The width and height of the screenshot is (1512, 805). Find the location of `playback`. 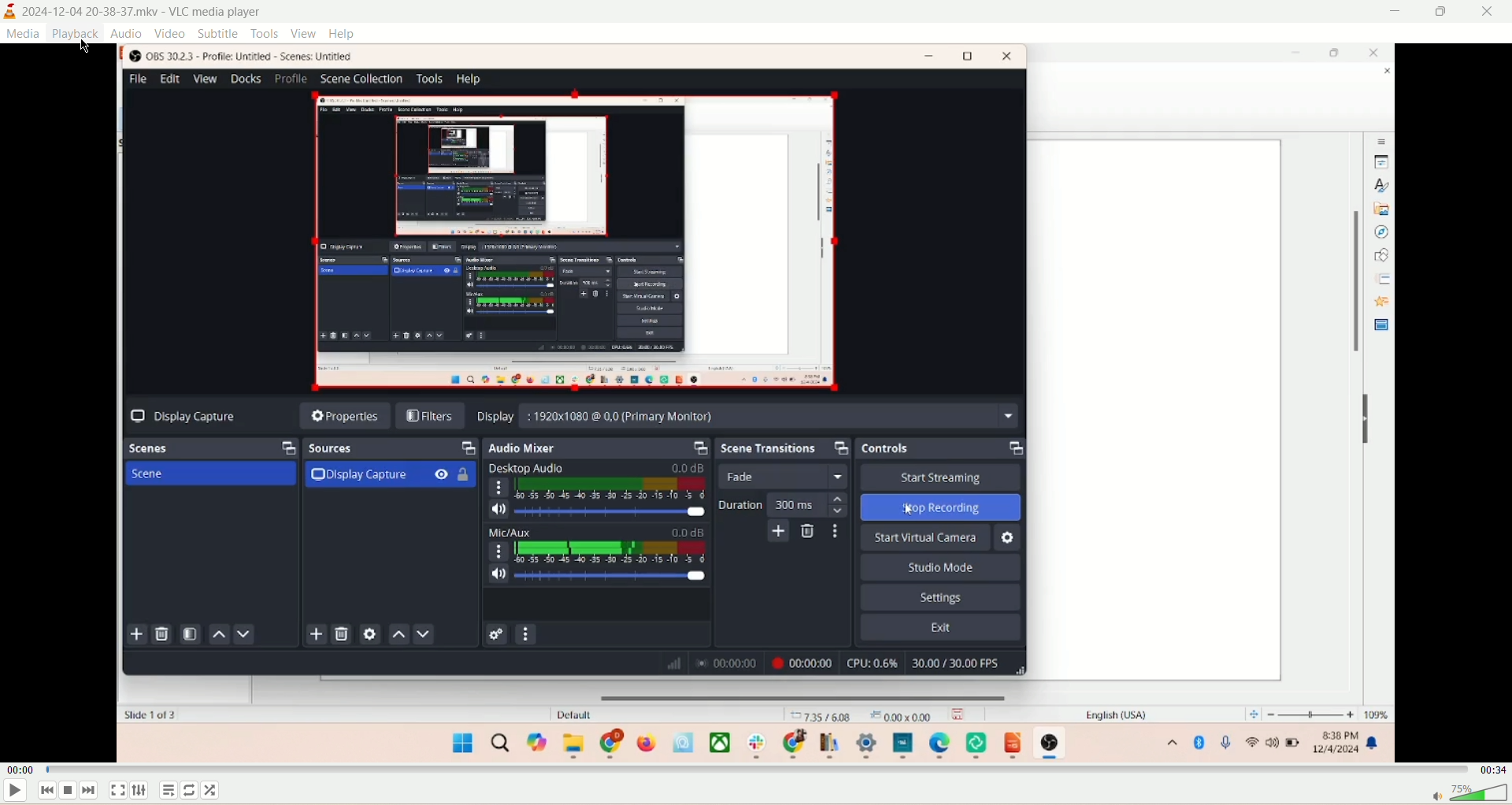

playback is located at coordinates (73, 35).